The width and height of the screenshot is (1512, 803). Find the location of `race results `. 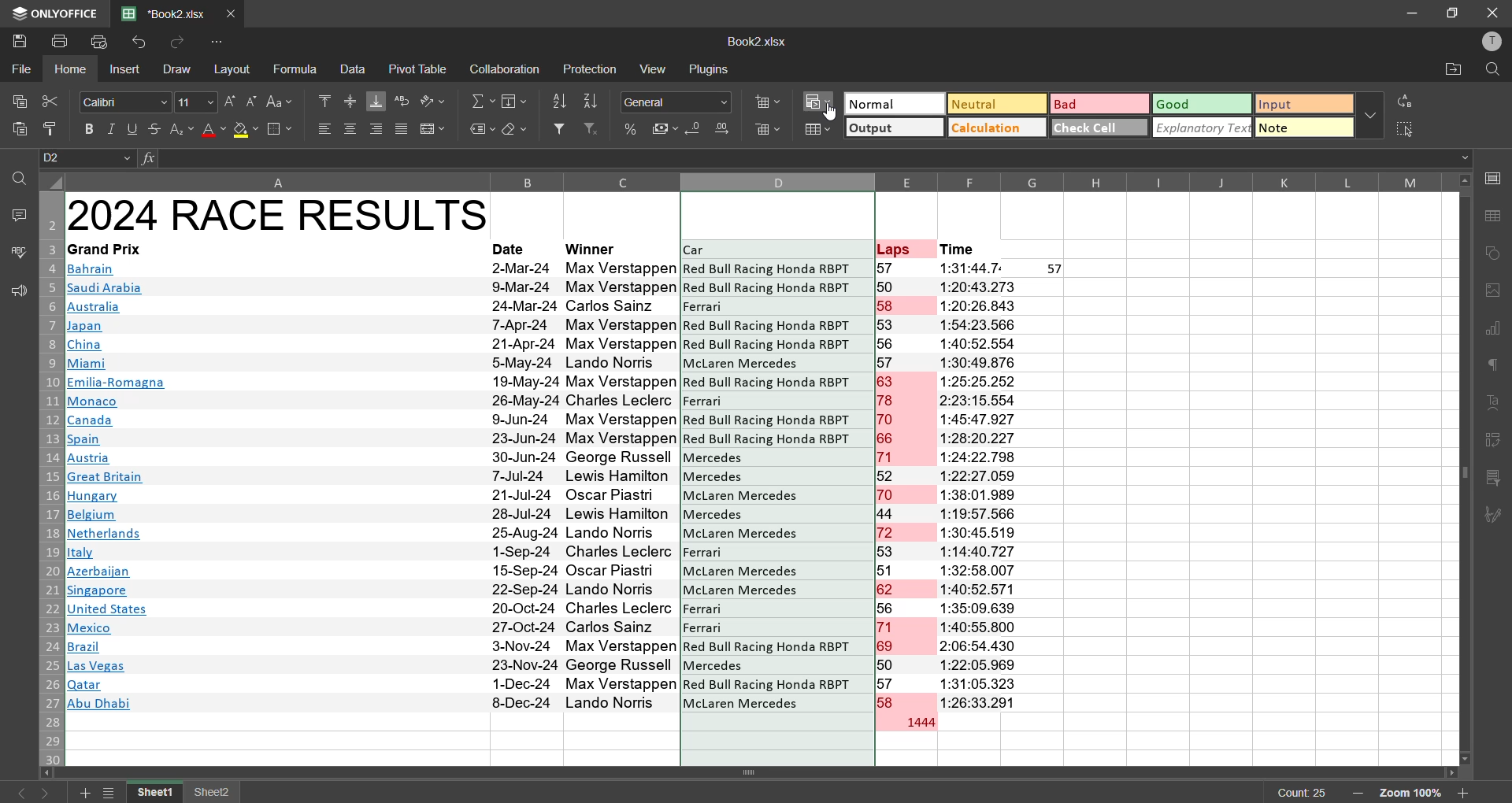

race results  is located at coordinates (278, 214).